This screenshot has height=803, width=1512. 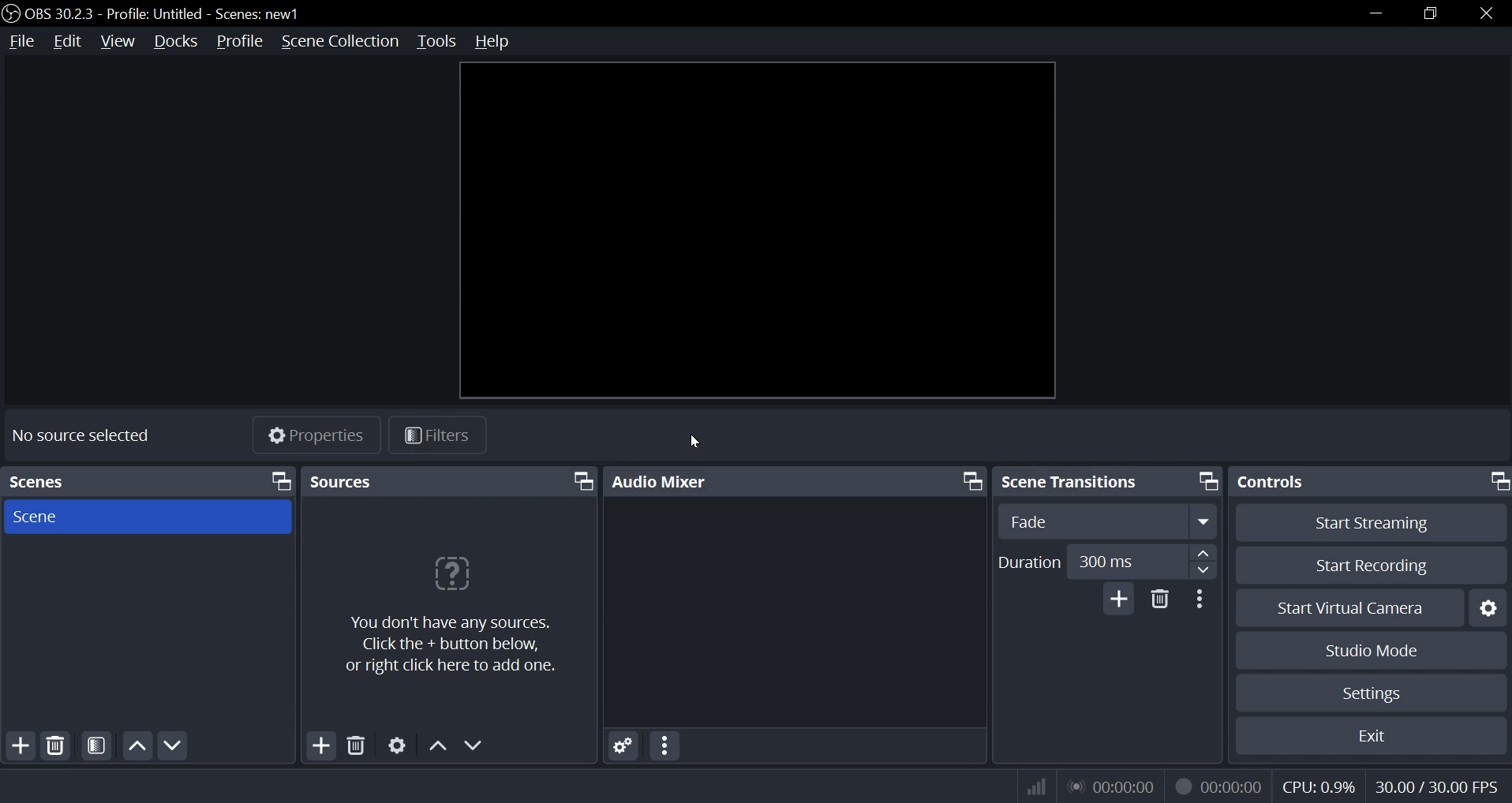 What do you see at coordinates (320, 436) in the screenshot?
I see `Properties` at bounding box center [320, 436].